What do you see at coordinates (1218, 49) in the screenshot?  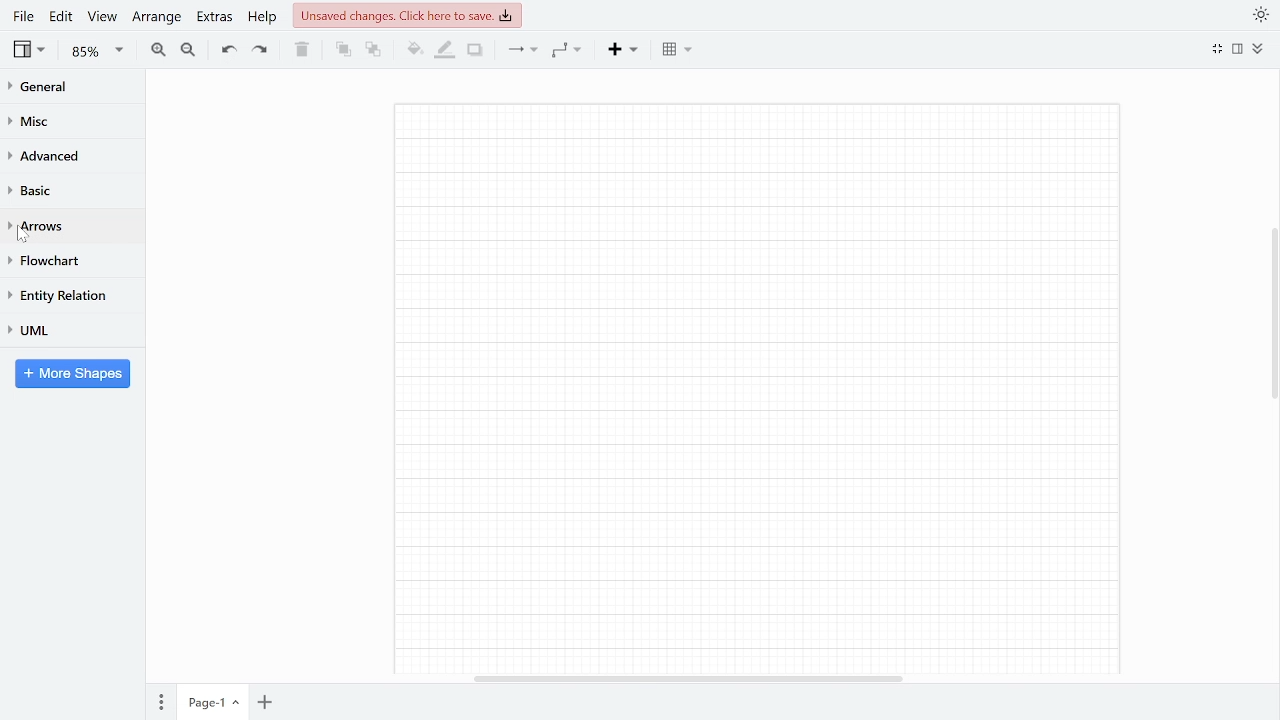 I see `Minimize` at bounding box center [1218, 49].